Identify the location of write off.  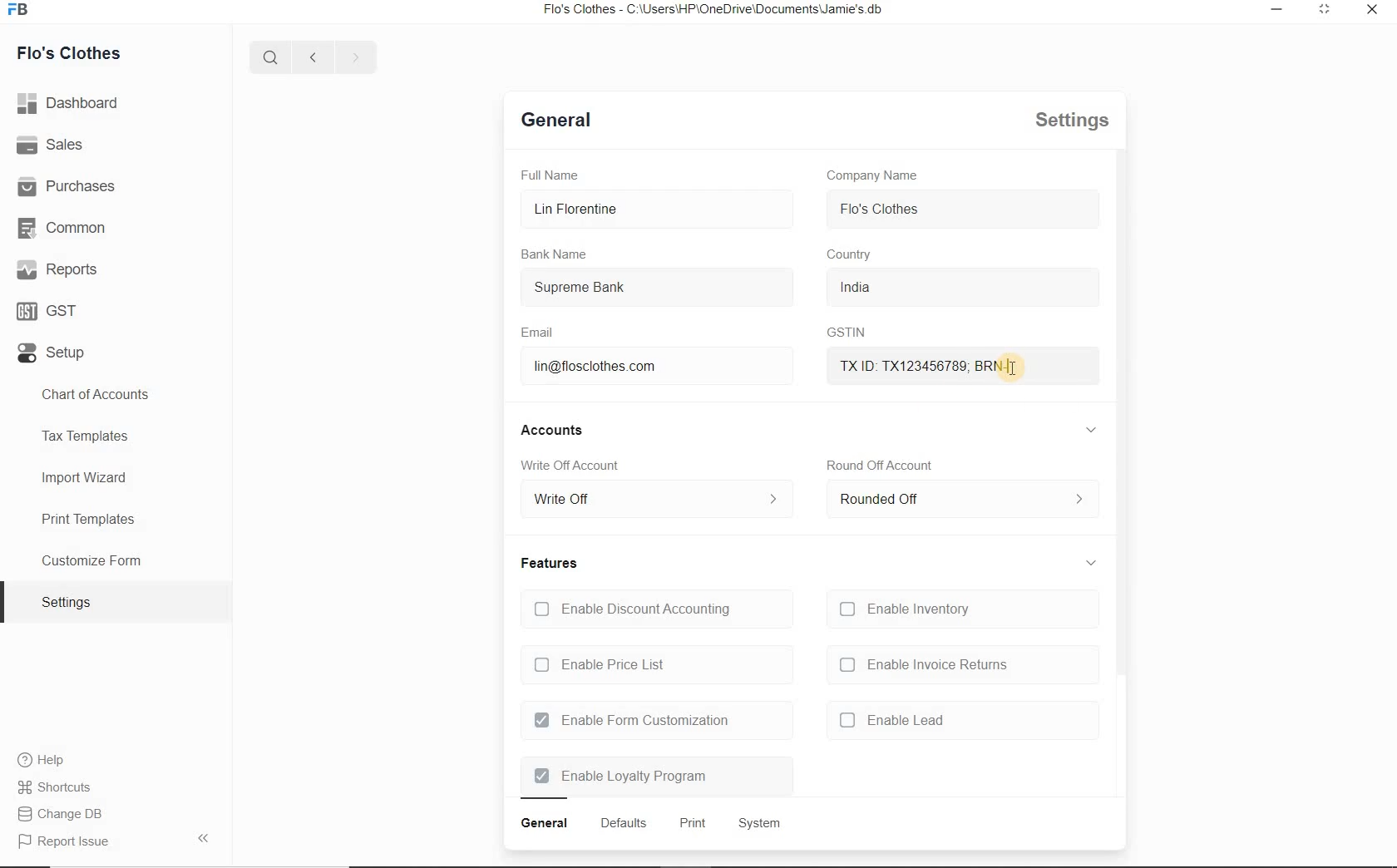
(654, 501).